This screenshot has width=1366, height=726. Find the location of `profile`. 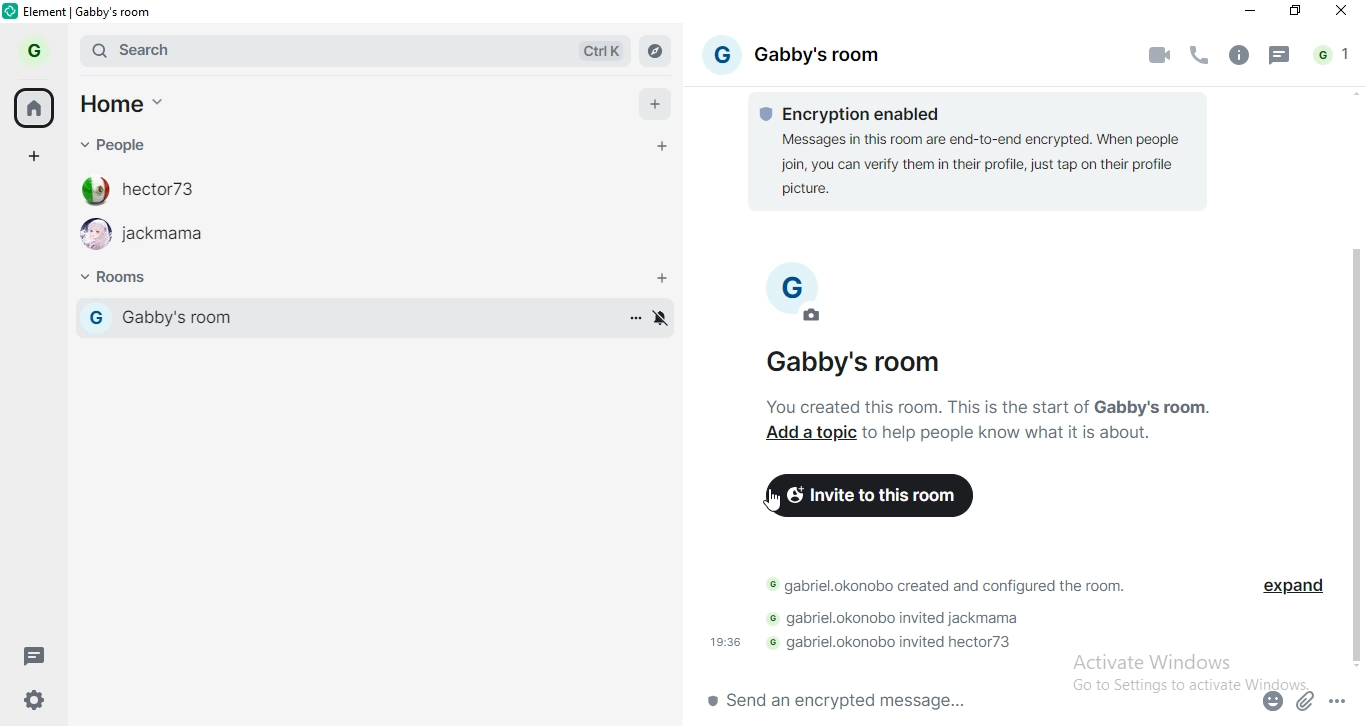

profile is located at coordinates (792, 283).